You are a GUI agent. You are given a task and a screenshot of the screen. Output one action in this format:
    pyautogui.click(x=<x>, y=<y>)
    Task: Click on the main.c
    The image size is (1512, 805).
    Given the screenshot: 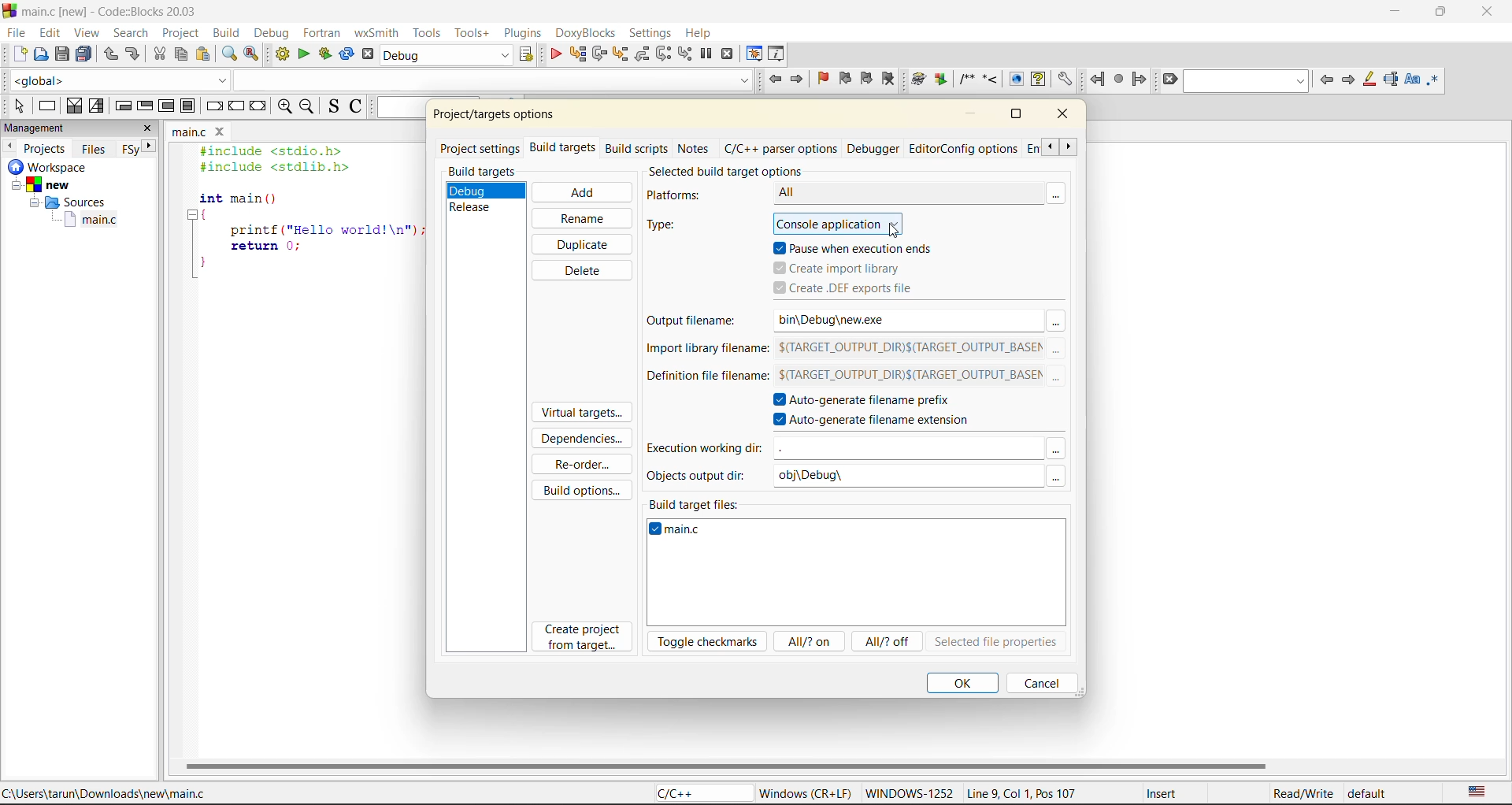 What is the action you would take?
    pyautogui.click(x=187, y=132)
    